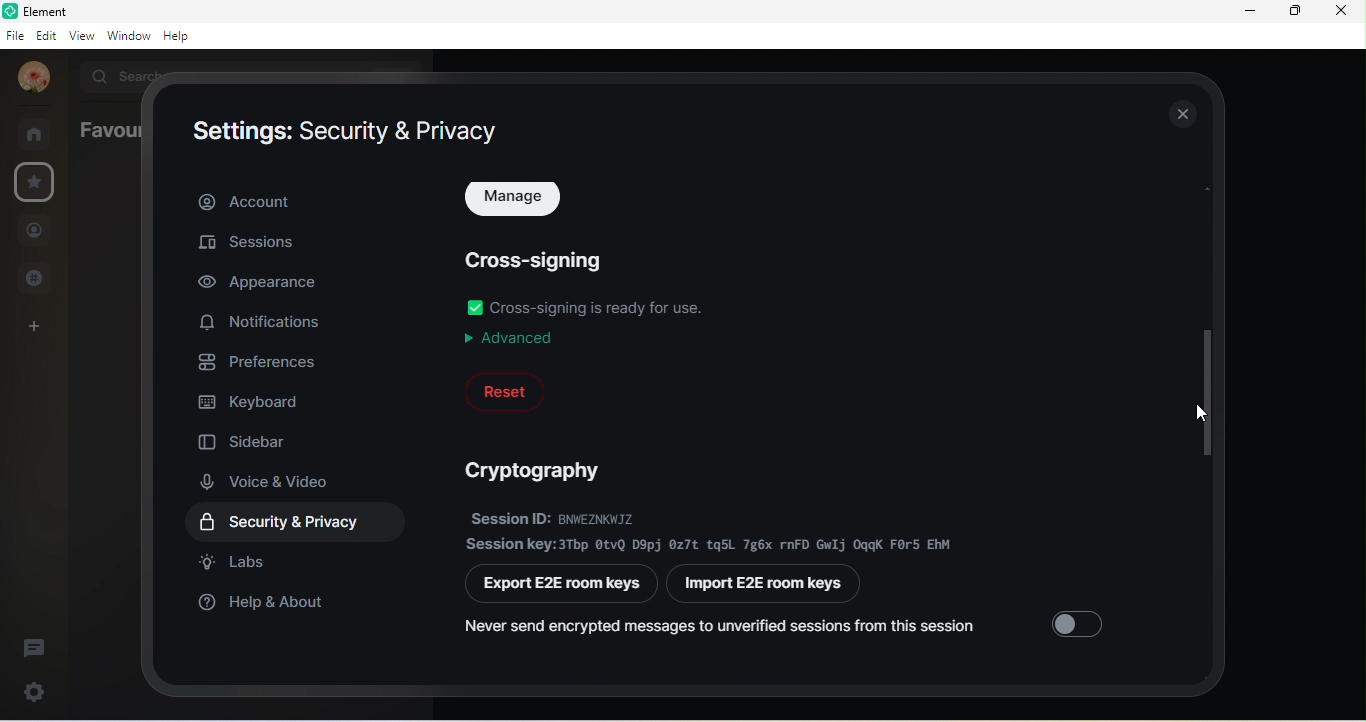 The image size is (1366, 722). What do you see at coordinates (14, 36) in the screenshot?
I see `file` at bounding box center [14, 36].